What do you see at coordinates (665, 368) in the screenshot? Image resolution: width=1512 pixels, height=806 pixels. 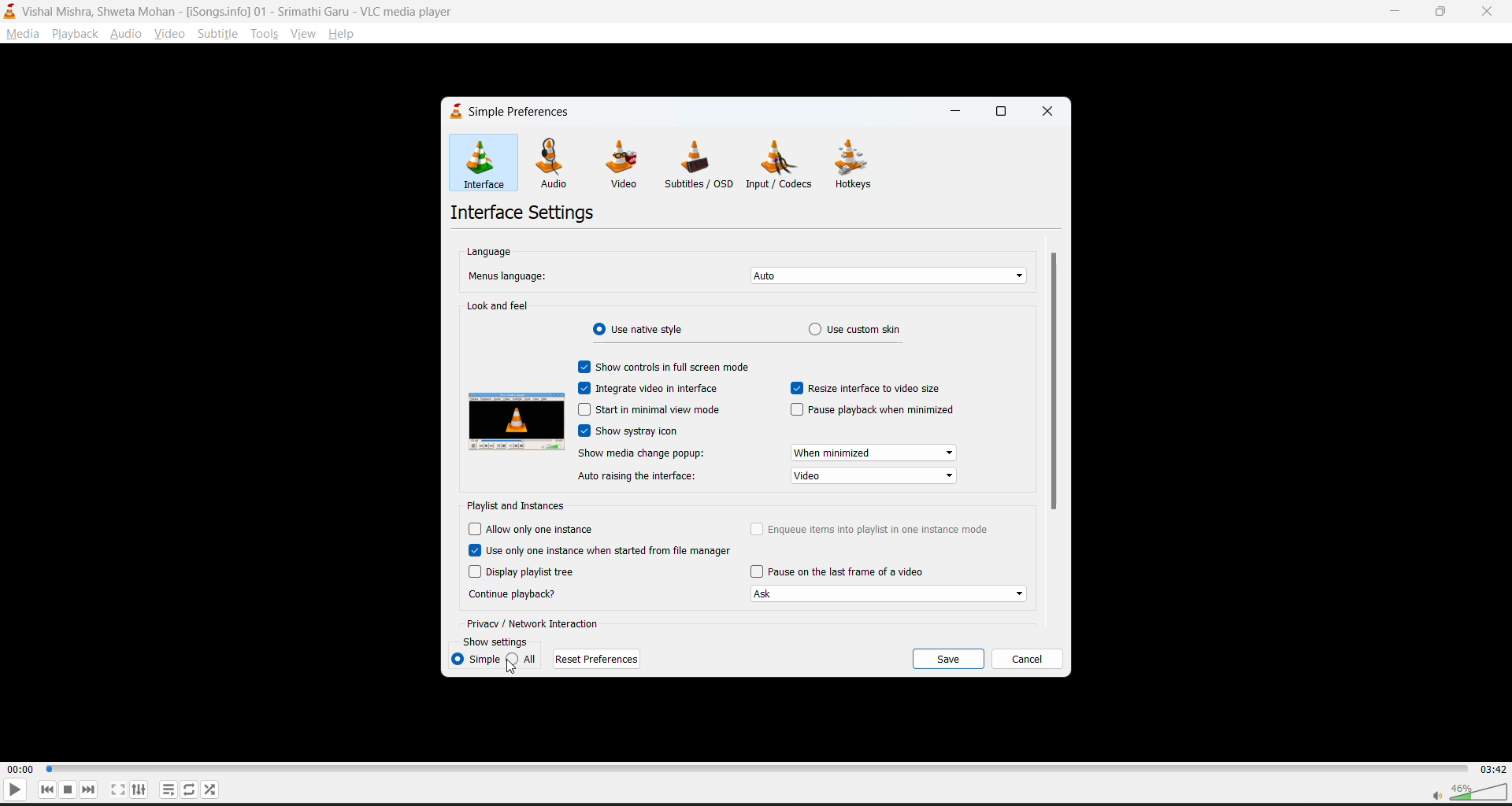 I see `show controls in full screen mode` at bounding box center [665, 368].